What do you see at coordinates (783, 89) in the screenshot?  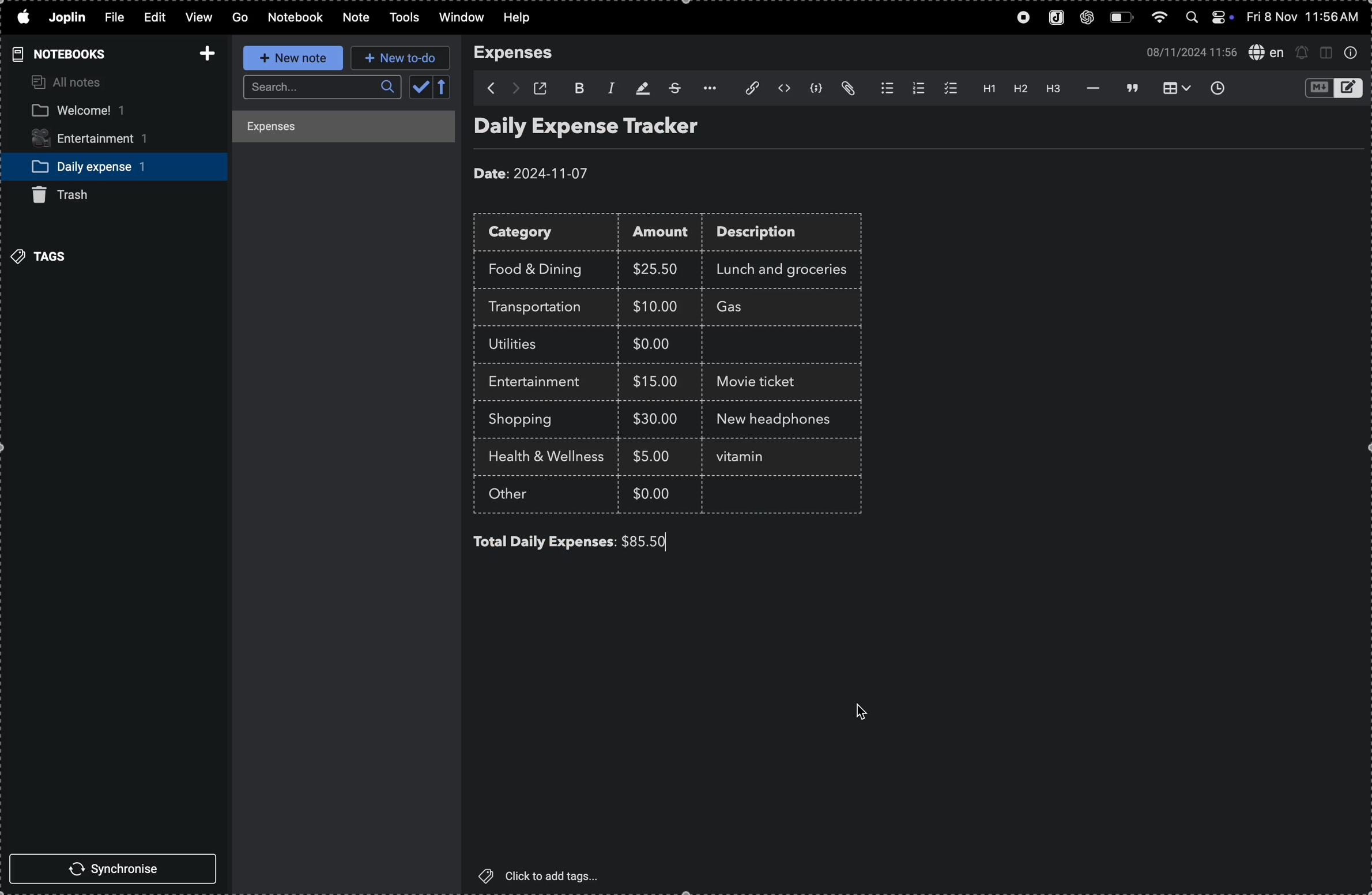 I see `inline code` at bounding box center [783, 89].